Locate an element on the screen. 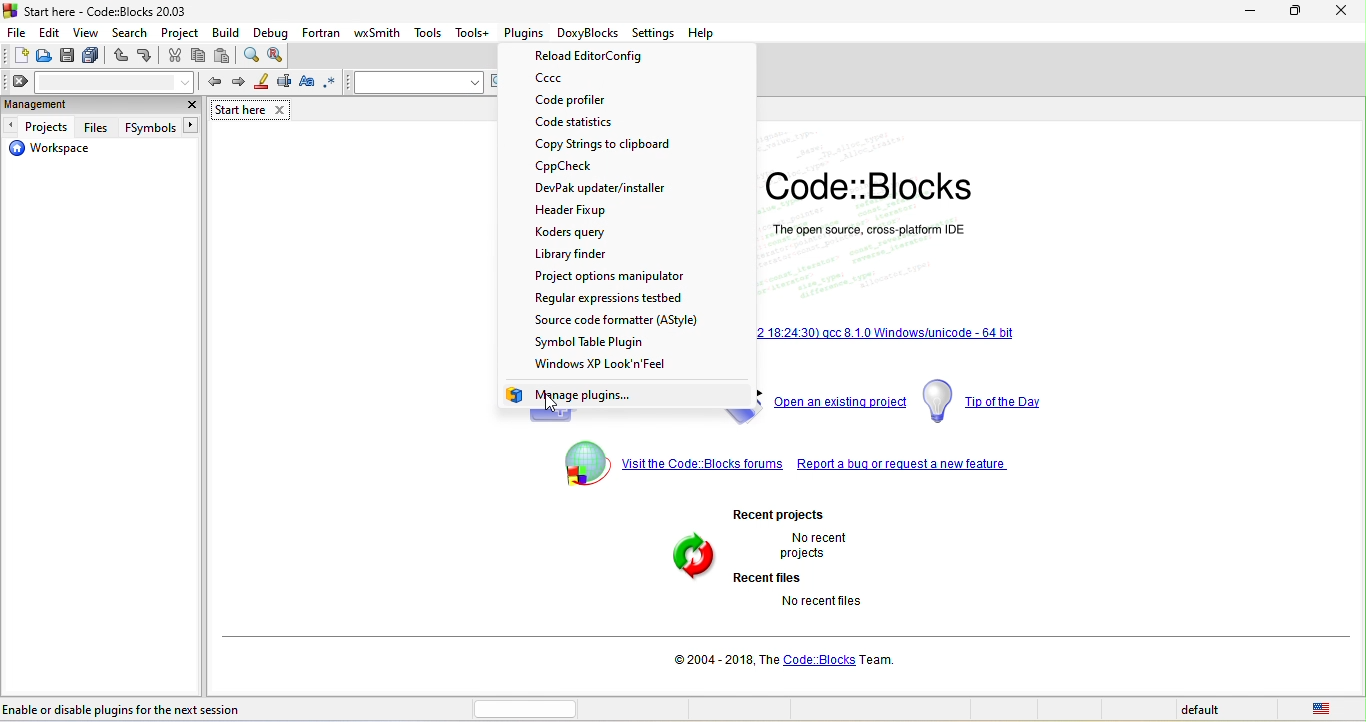 The image size is (1366, 722). open is located at coordinates (45, 56).